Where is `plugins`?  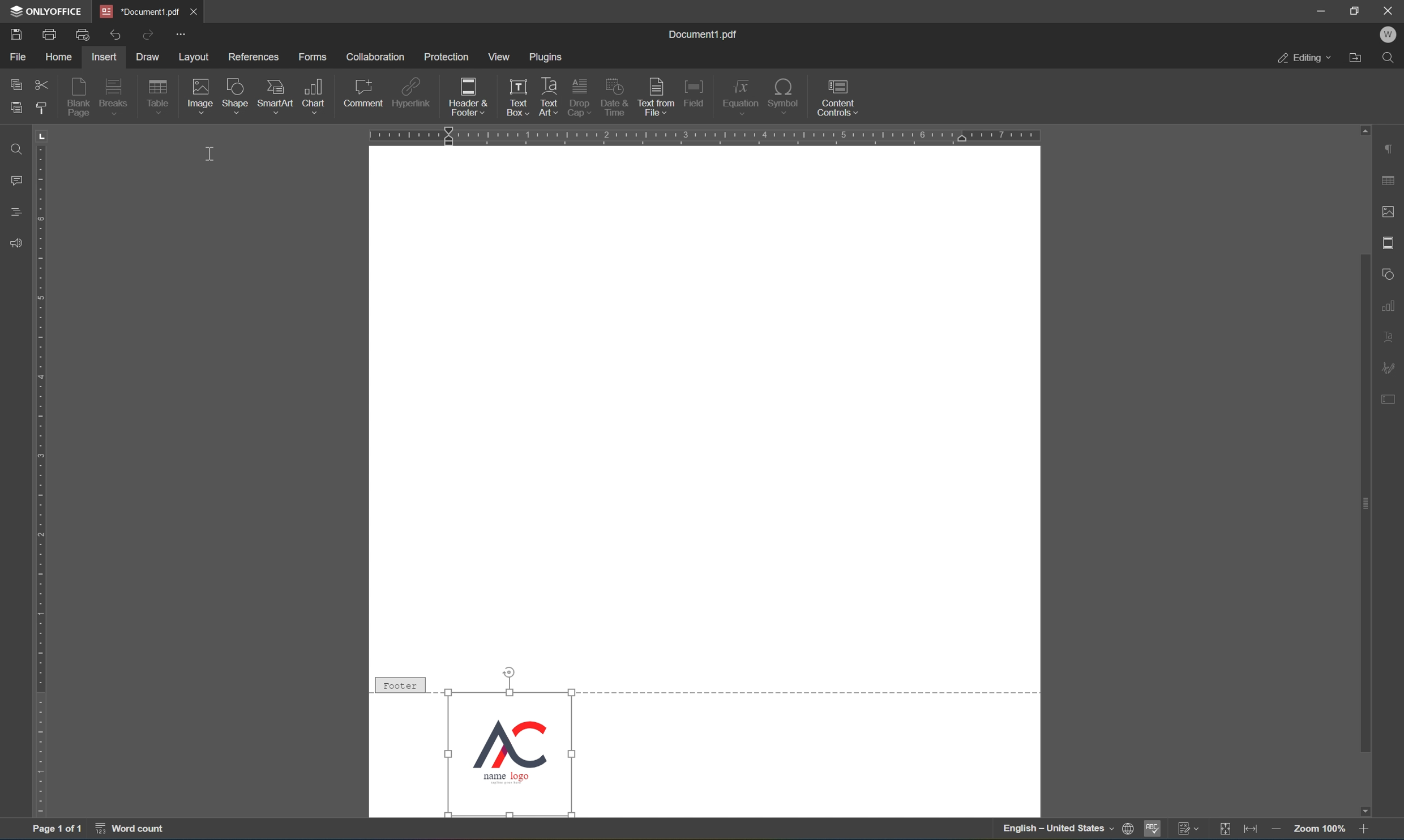 plugins is located at coordinates (547, 55).